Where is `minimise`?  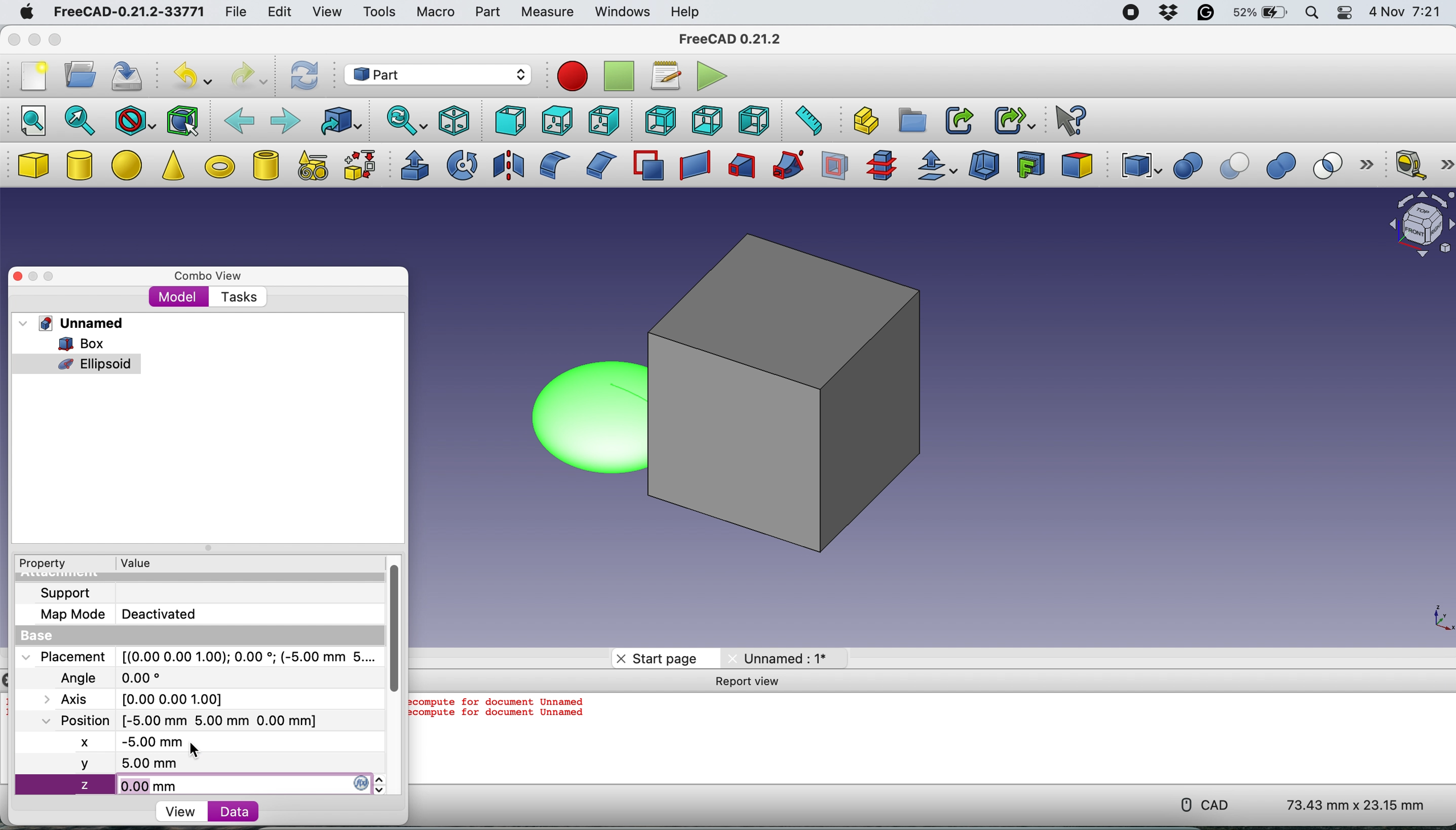
minimise is located at coordinates (32, 40).